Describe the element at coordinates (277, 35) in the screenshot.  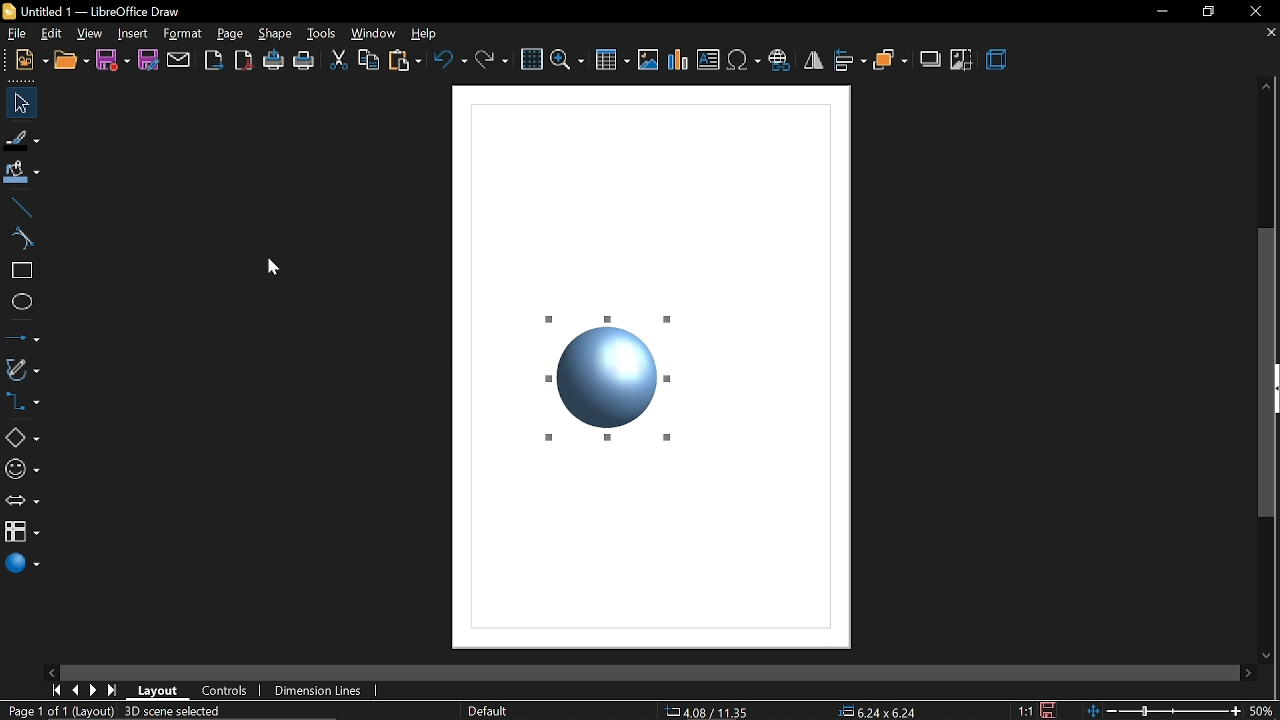
I see `shape` at that location.